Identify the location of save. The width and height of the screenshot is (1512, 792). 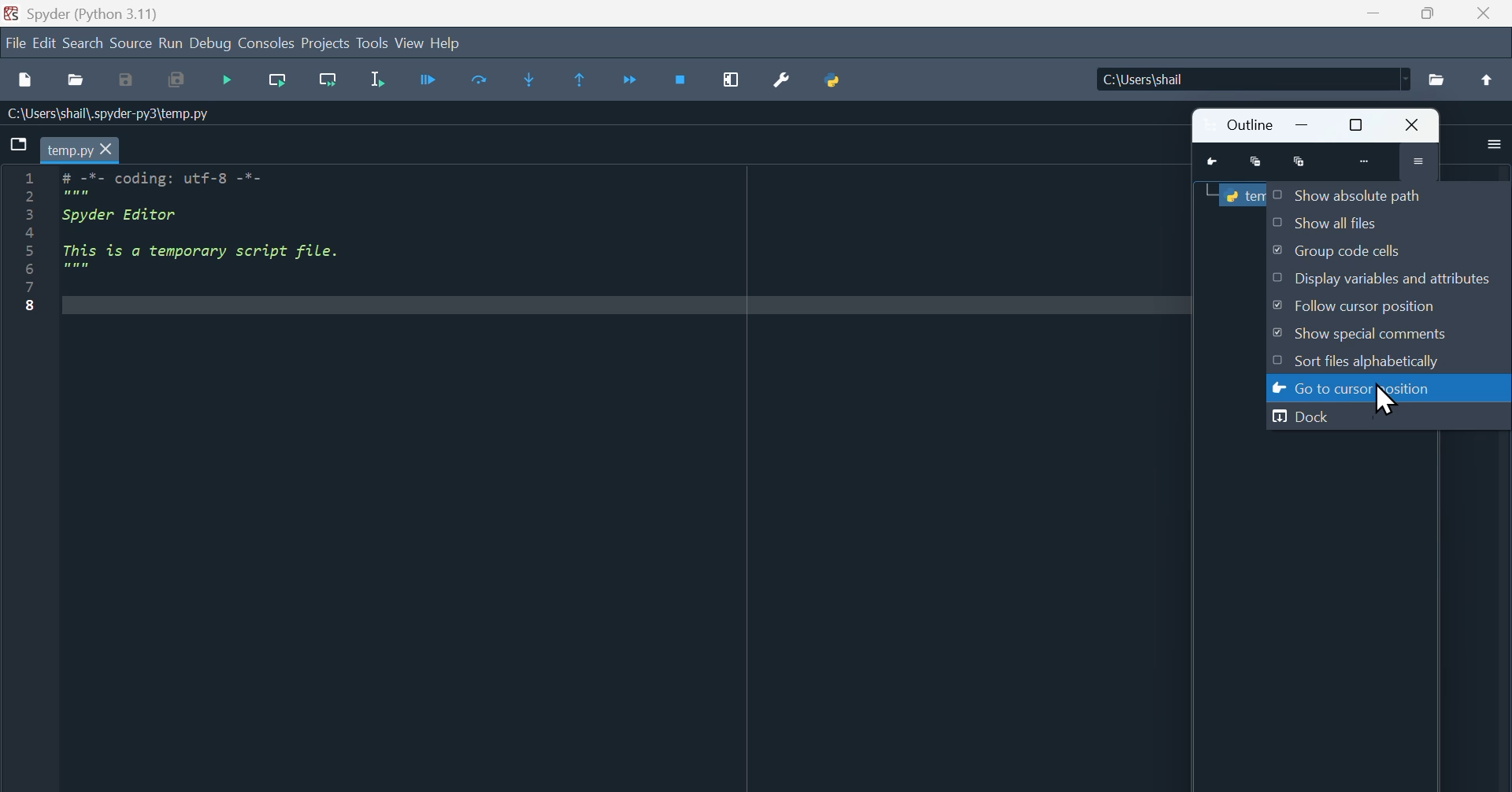
(128, 80).